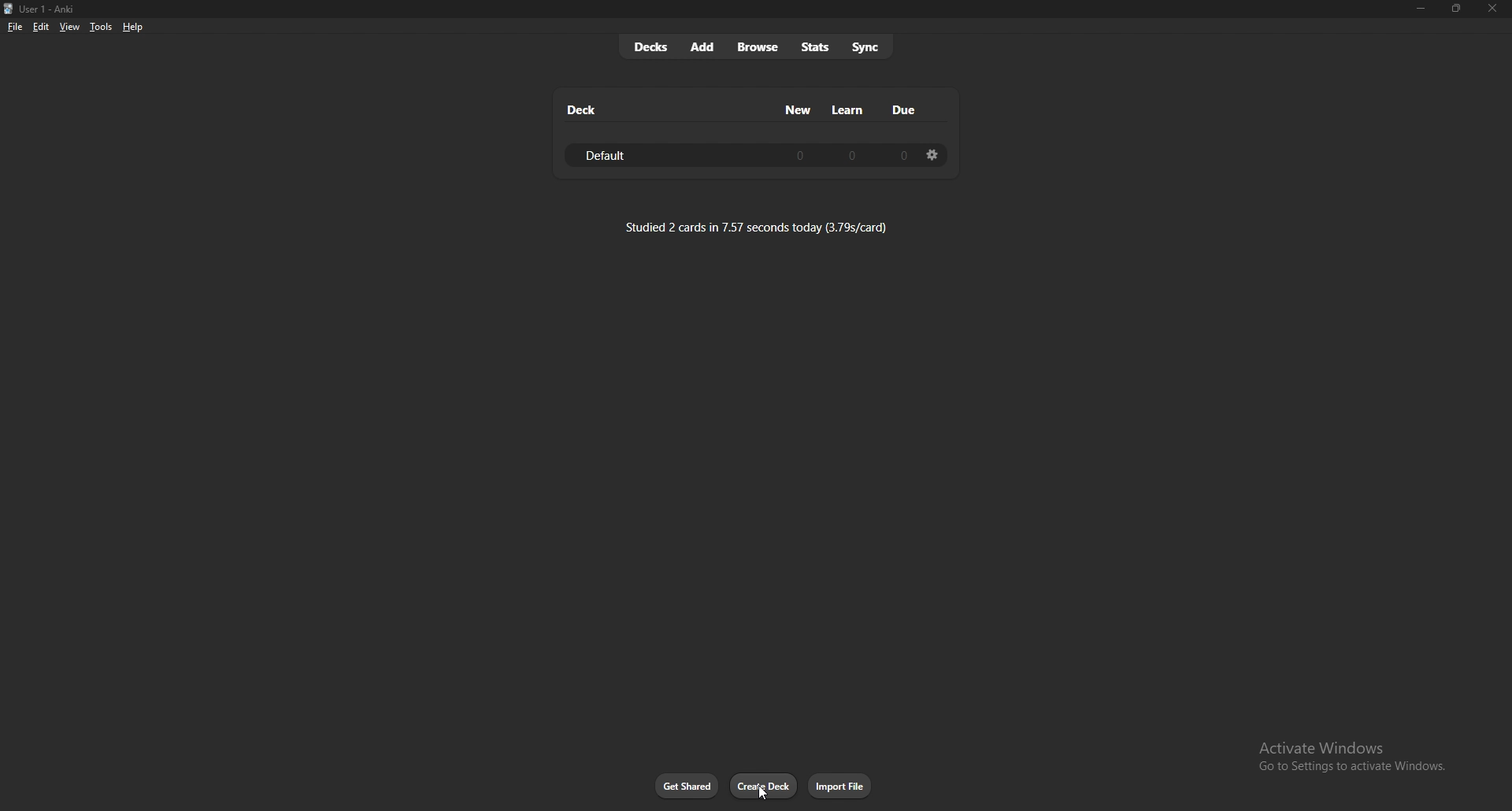 This screenshot has width=1512, height=811. I want to click on new, so click(799, 109).